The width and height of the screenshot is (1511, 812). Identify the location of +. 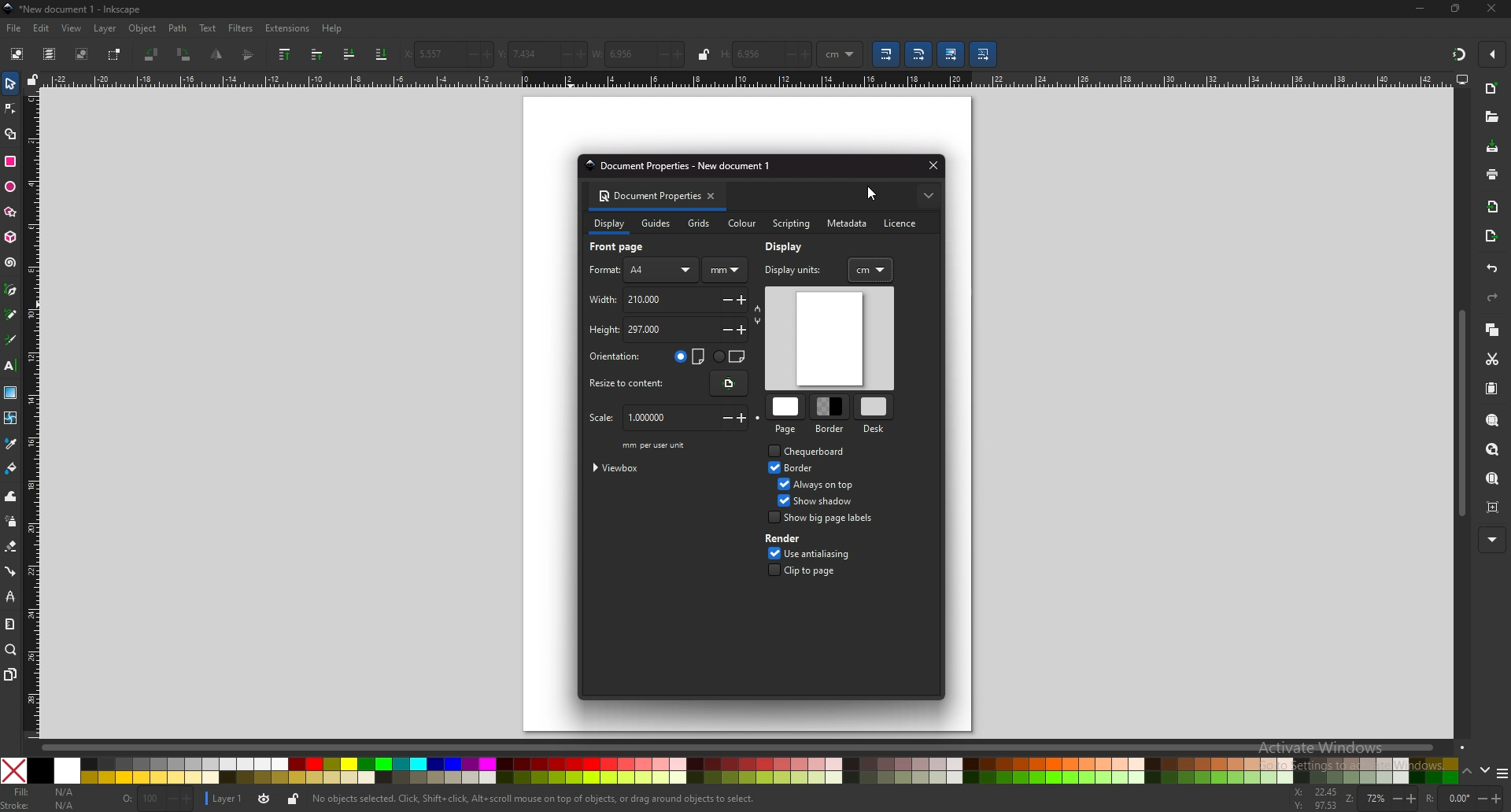
(808, 55).